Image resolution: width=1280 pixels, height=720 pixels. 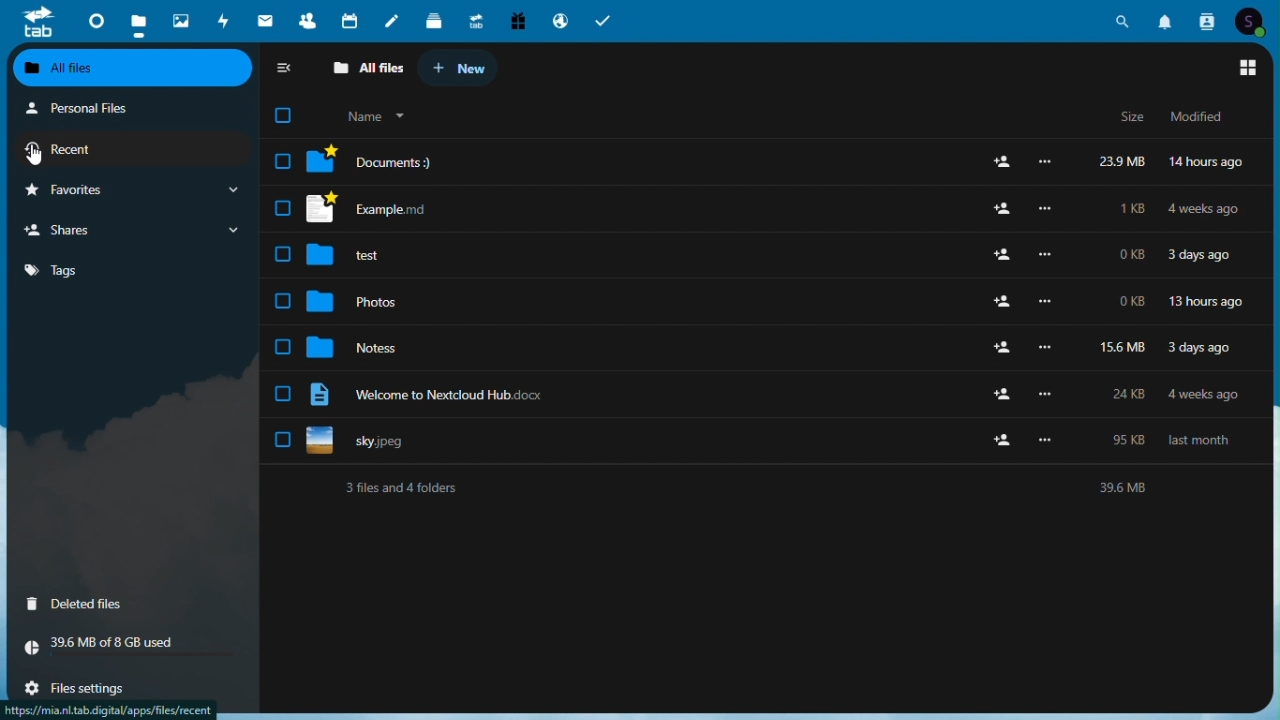 What do you see at coordinates (120, 153) in the screenshot?
I see `recent` at bounding box center [120, 153].